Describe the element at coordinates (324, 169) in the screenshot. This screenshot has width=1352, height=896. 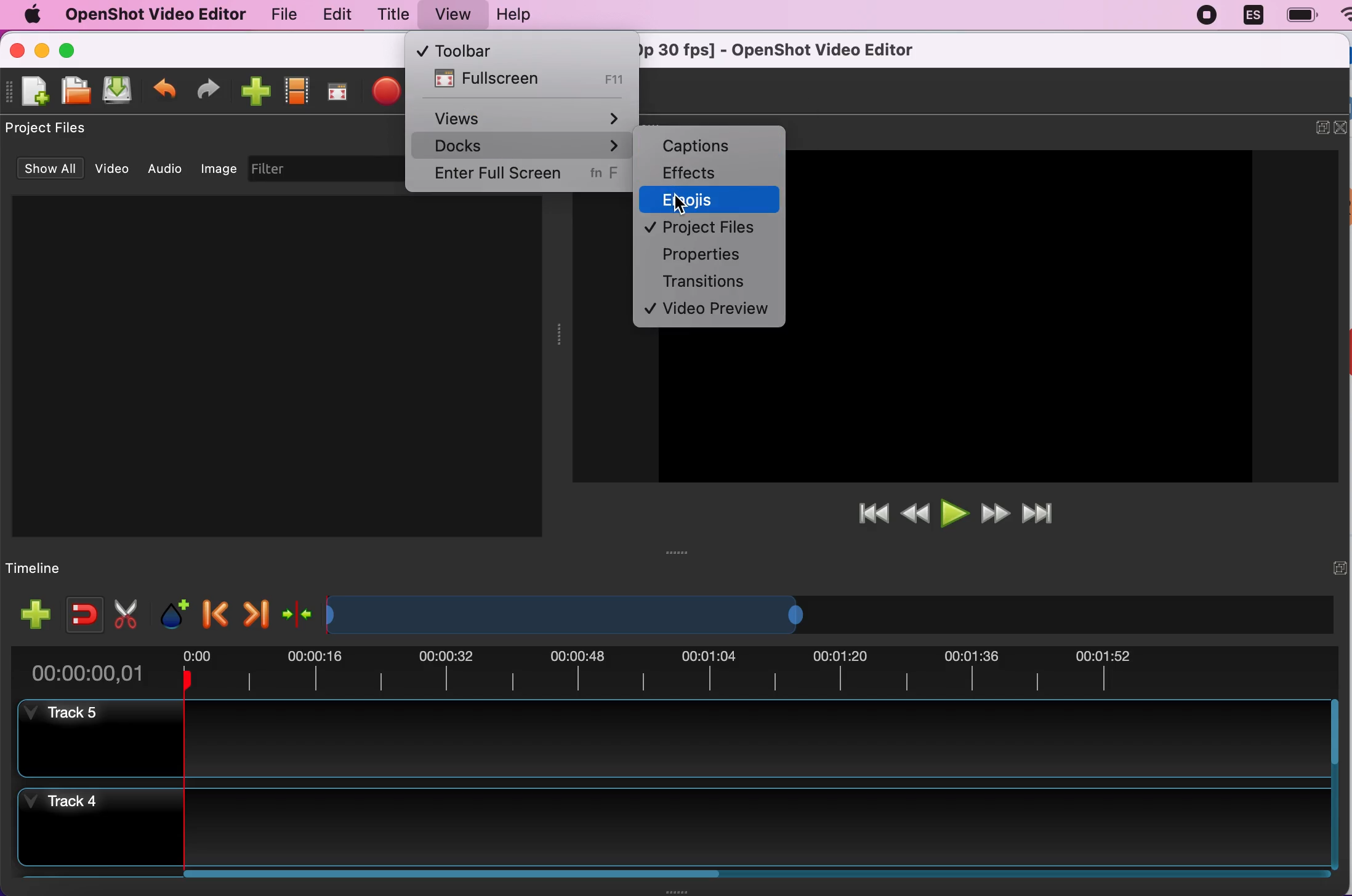
I see `filter` at that location.